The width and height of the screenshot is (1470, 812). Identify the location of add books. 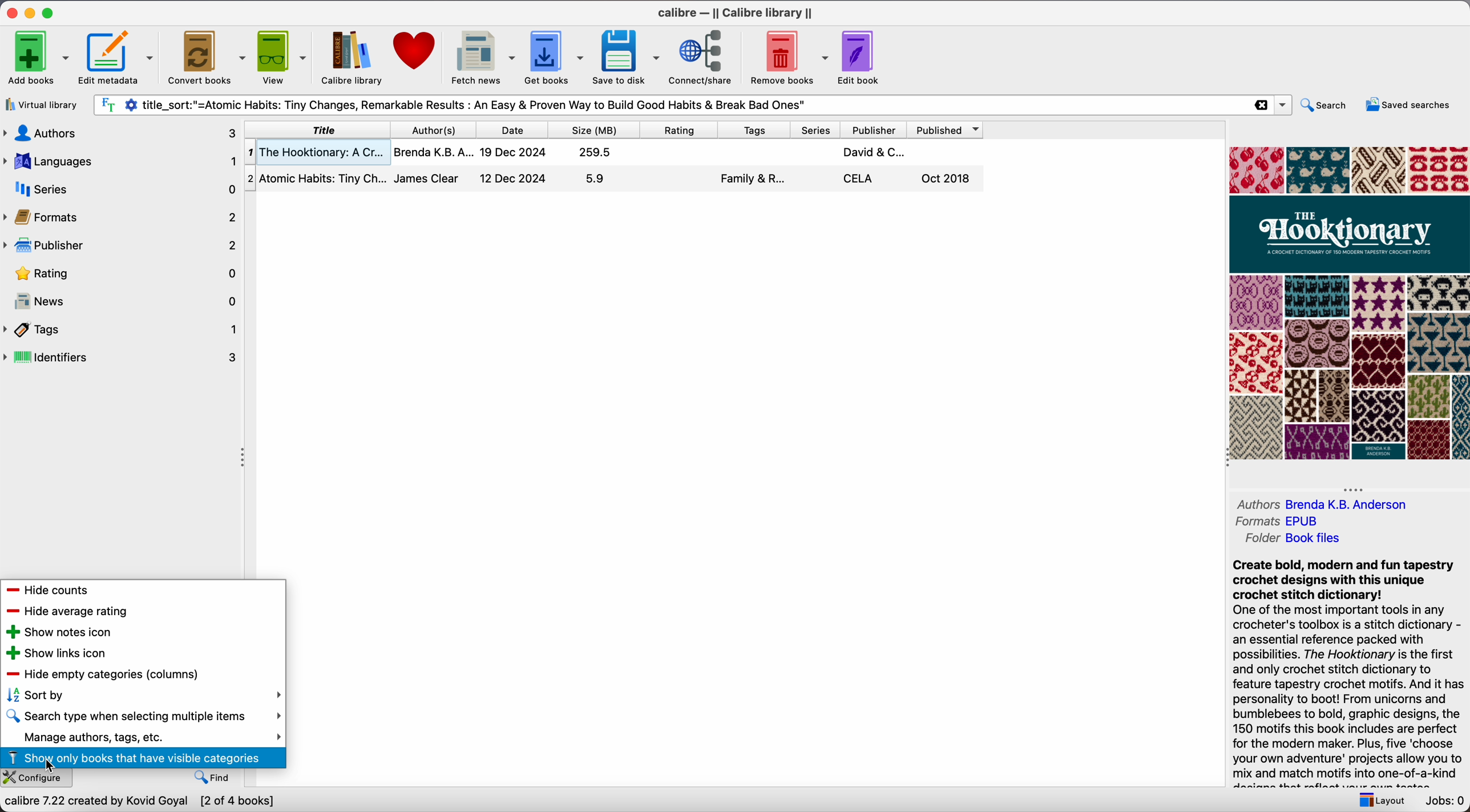
(37, 59).